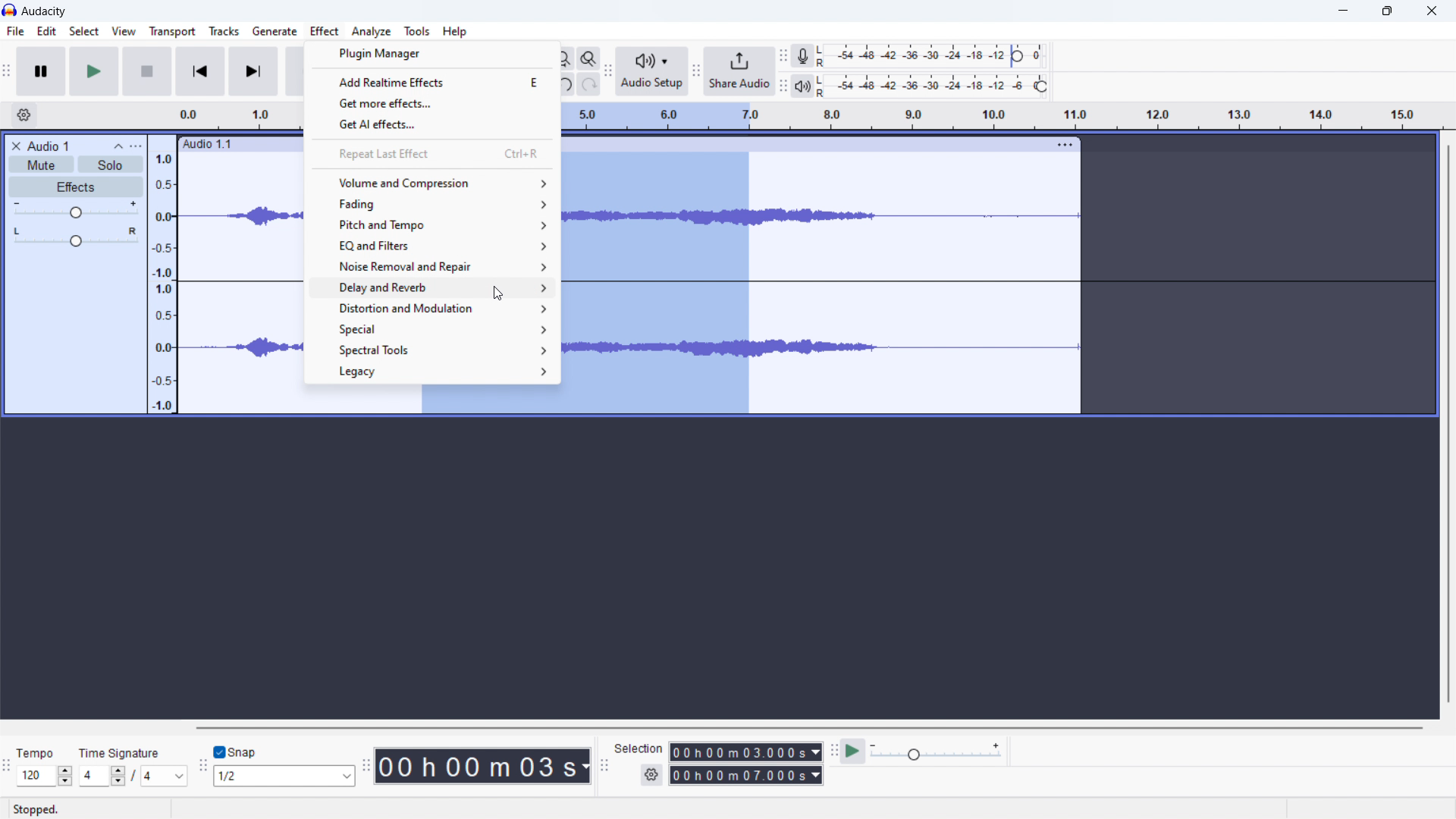 The image size is (1456, 819). What do you see at coordinates (431, 328) in the screenshot?
I see `special` at bounding box center [431, 328].